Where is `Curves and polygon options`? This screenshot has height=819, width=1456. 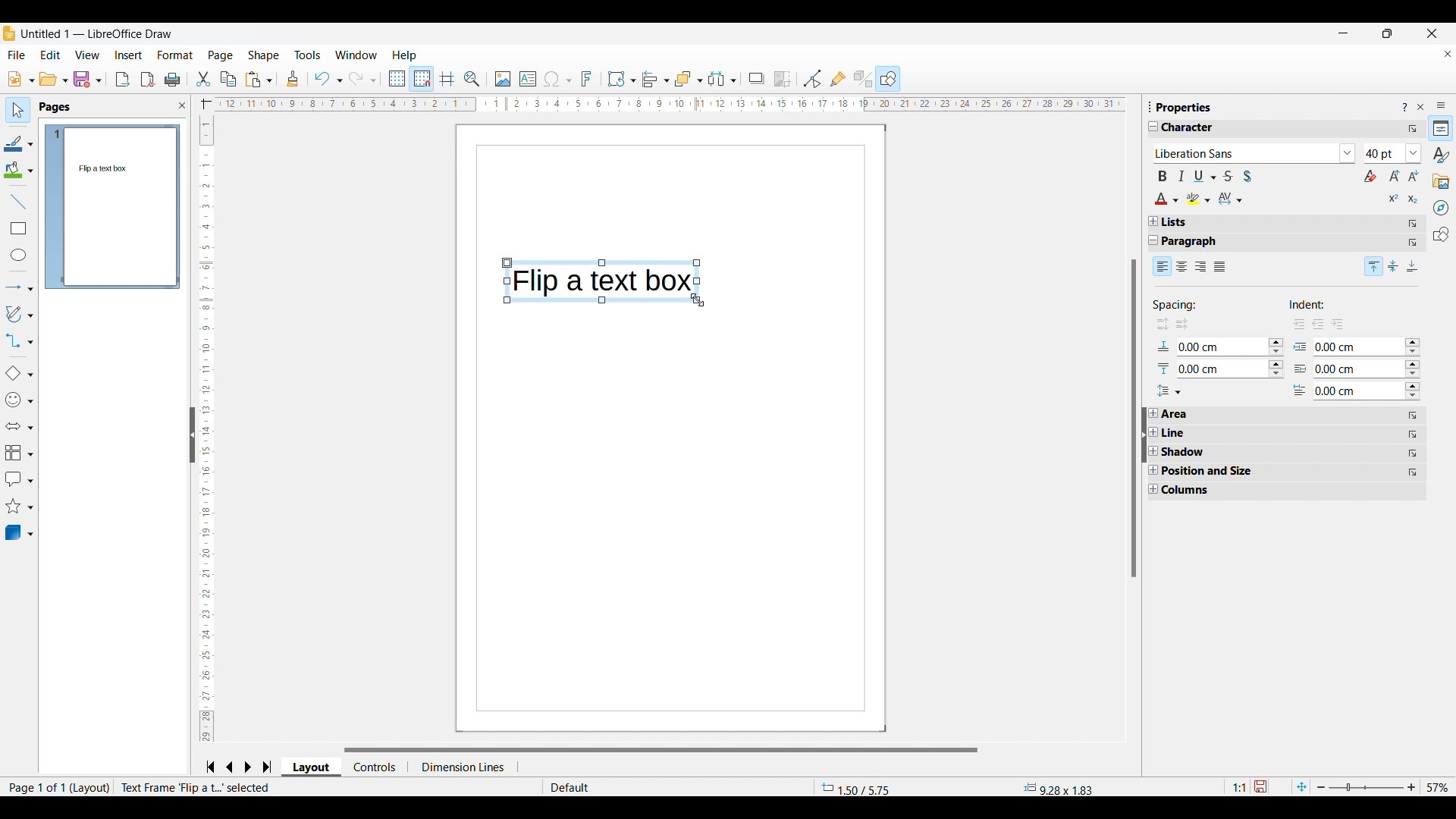
Curves and polygon options is located at coordinates (20, 314).